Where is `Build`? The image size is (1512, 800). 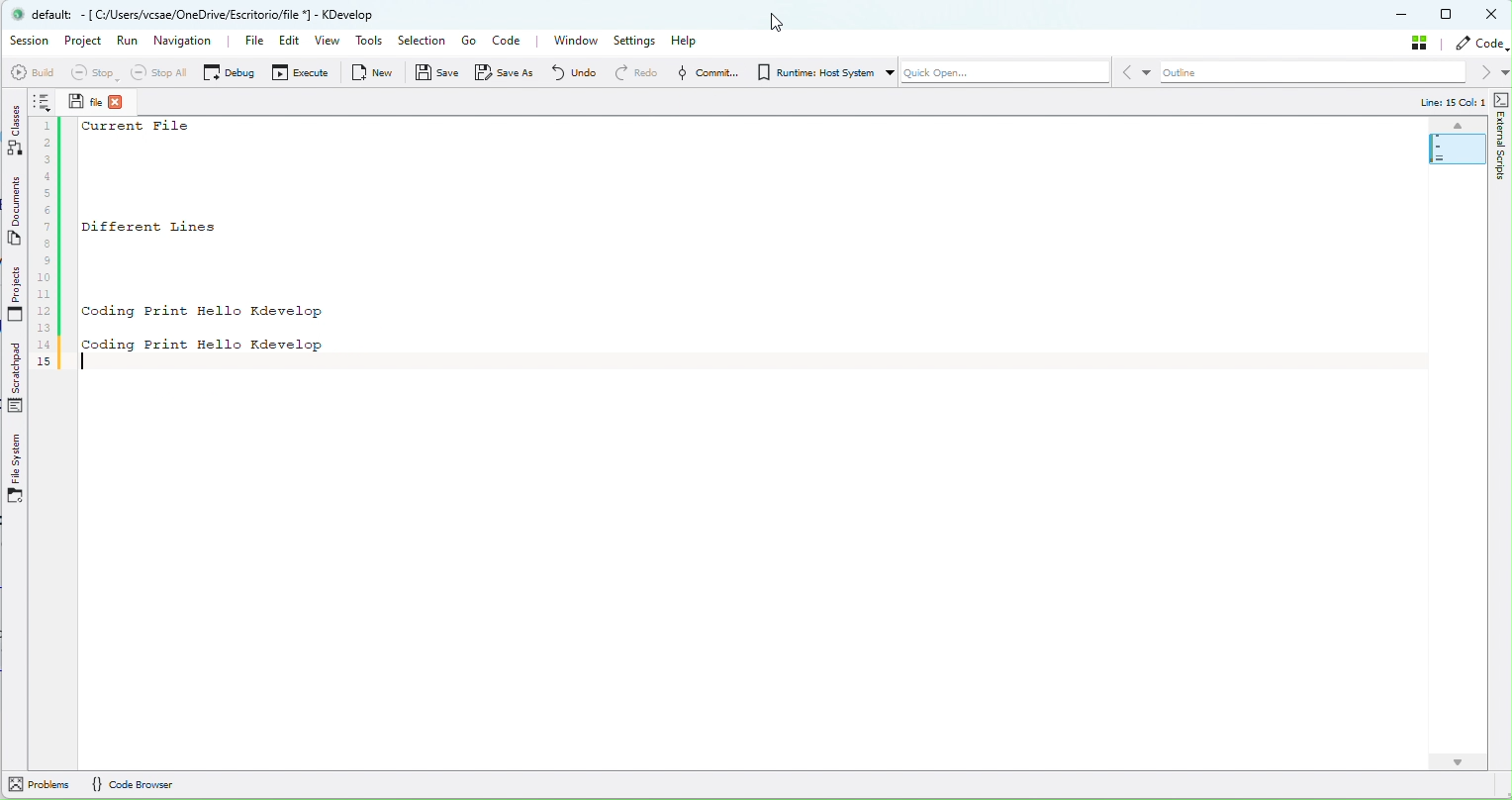 Build is located at coordinates (31, 72).